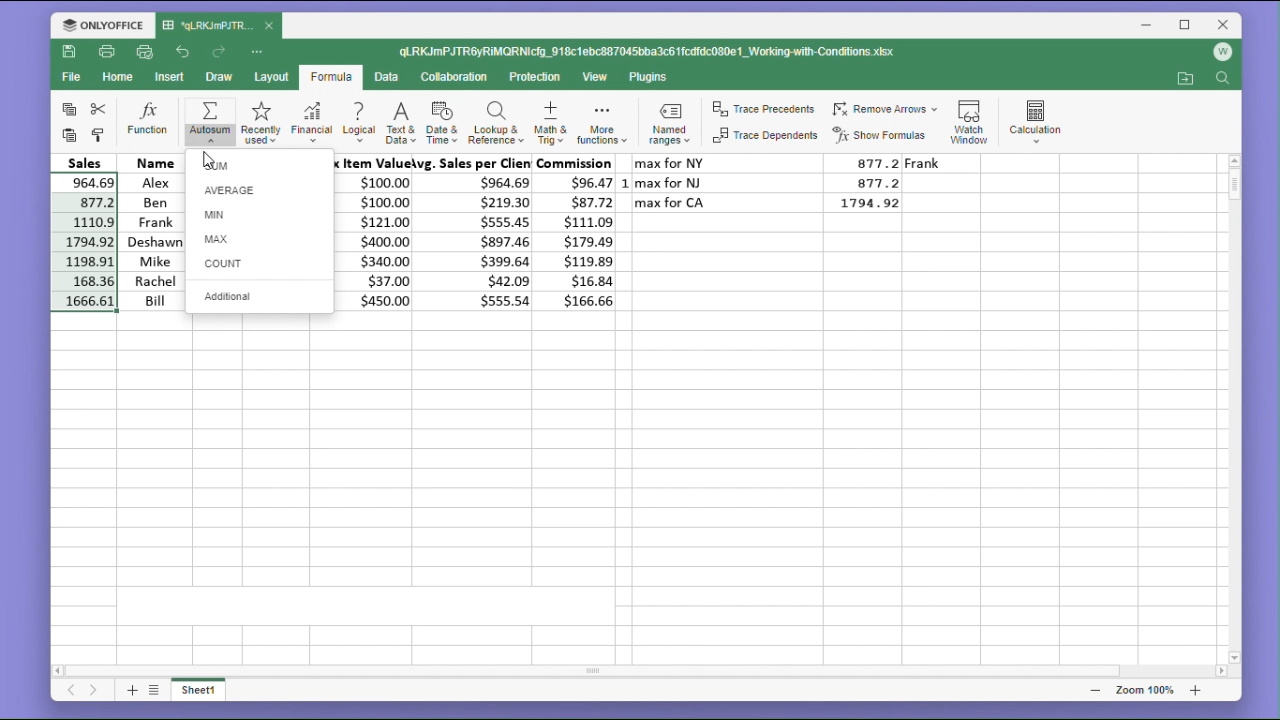 Image resolution: width=1280 pixels, height=720 pixels. I want to click on horizontal scroll bar, so click(642, 671).